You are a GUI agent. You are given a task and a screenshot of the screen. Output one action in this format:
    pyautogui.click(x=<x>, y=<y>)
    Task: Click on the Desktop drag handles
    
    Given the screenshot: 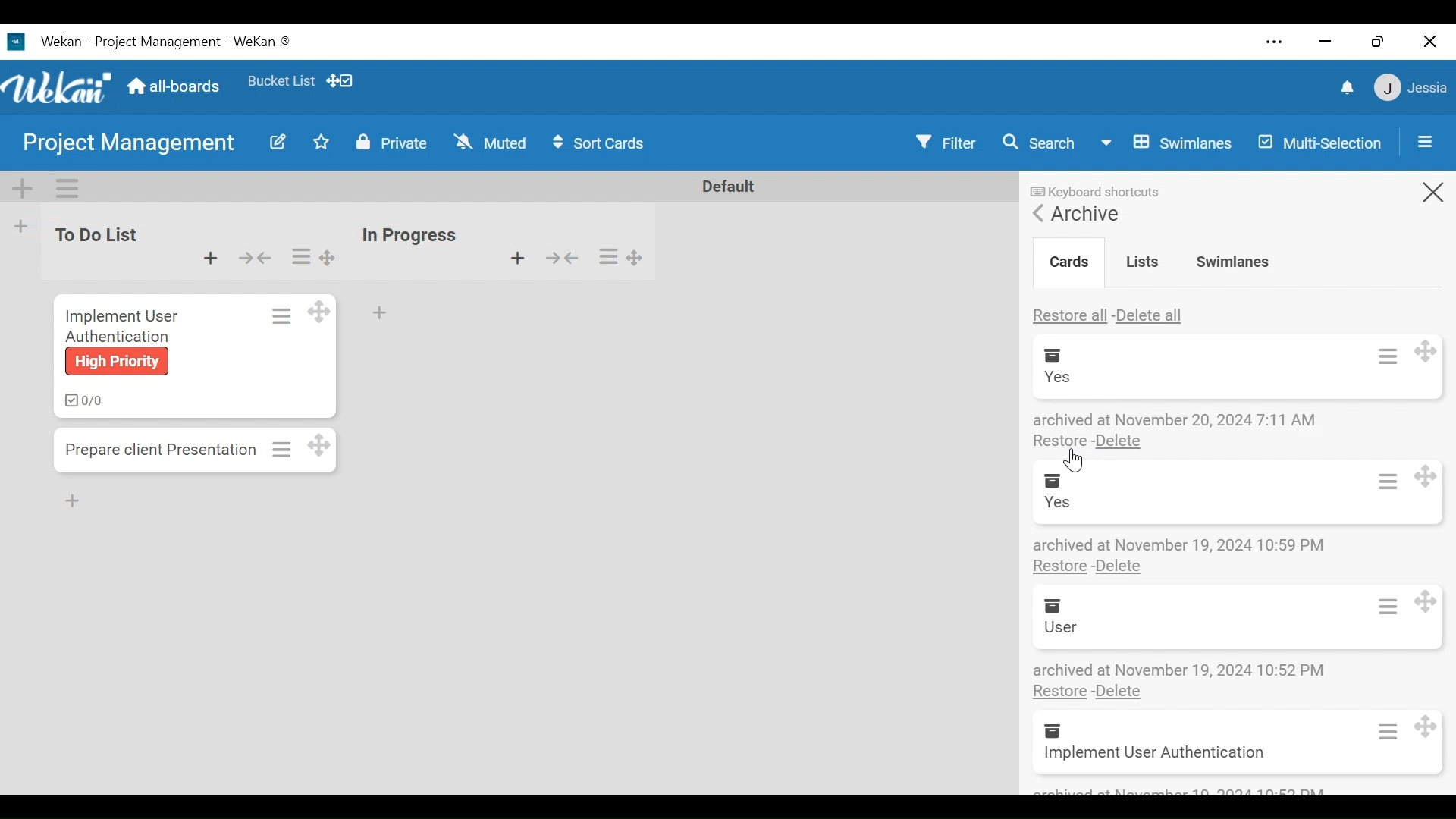 What is the action you would take?
    pyautogui.click(x=1432, y=595)
    